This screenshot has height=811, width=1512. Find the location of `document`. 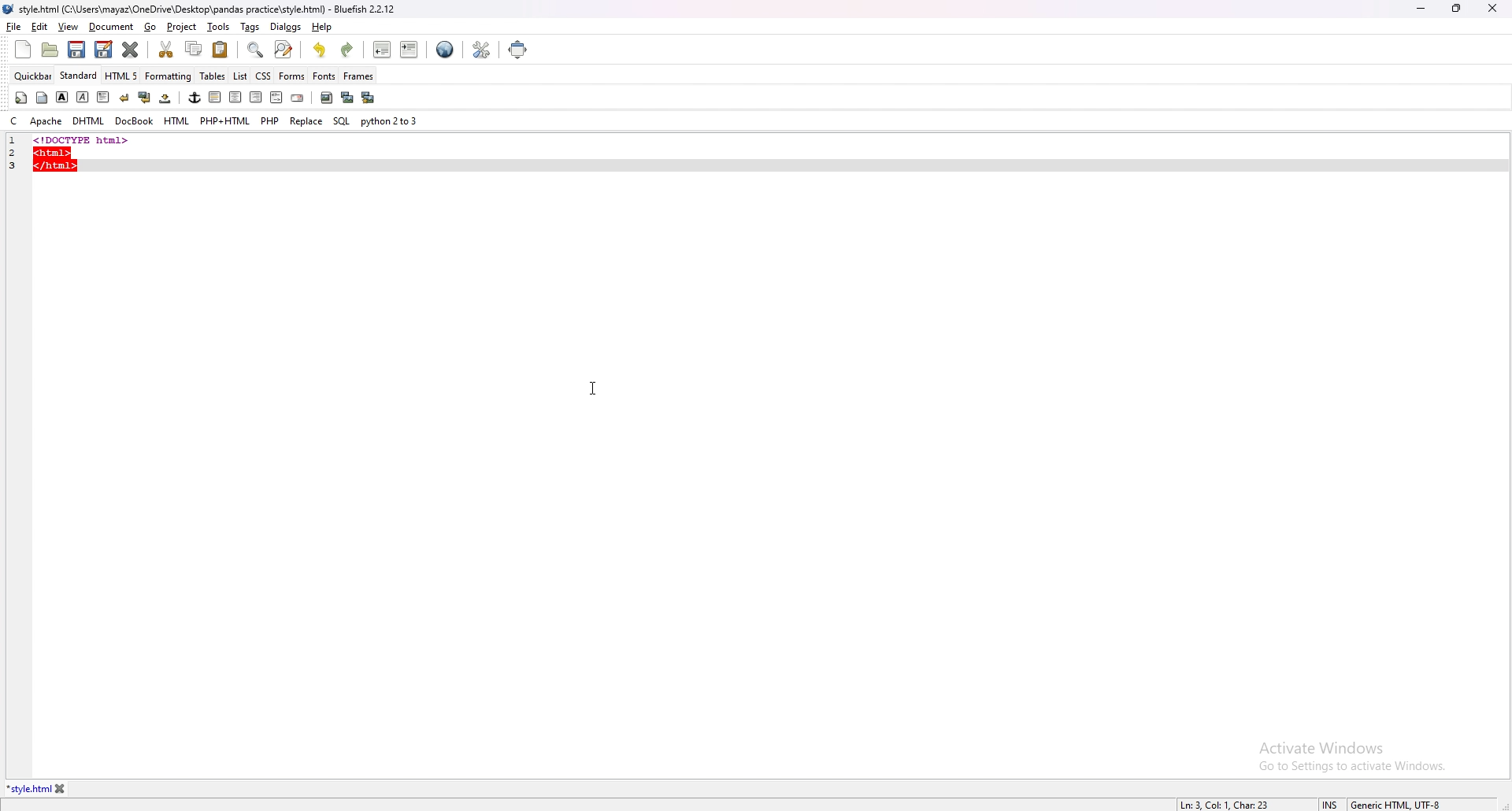

document is located at coordinates (112, 28).